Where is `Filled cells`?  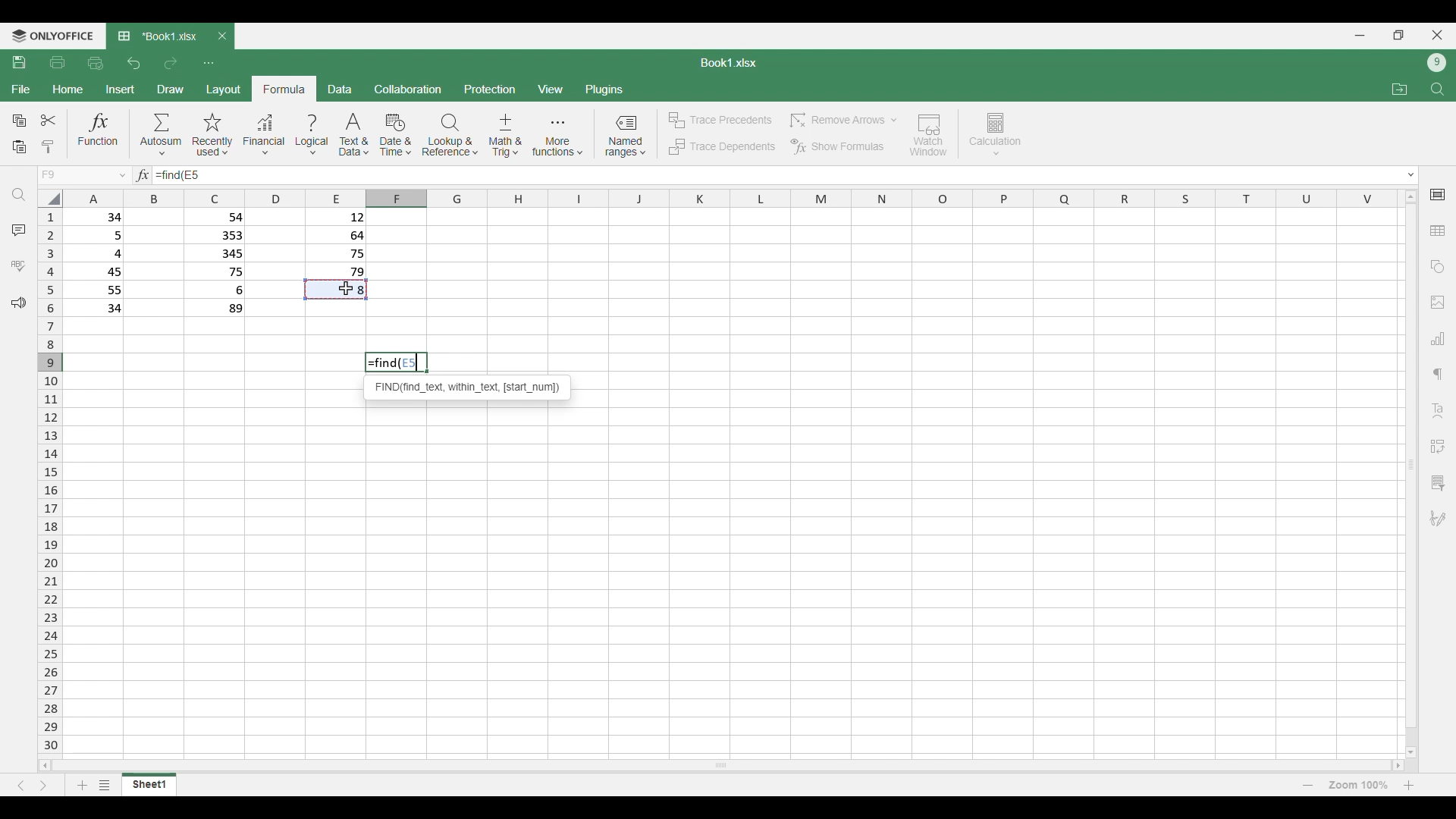 Filled cells is located at coordinates (337, 243).